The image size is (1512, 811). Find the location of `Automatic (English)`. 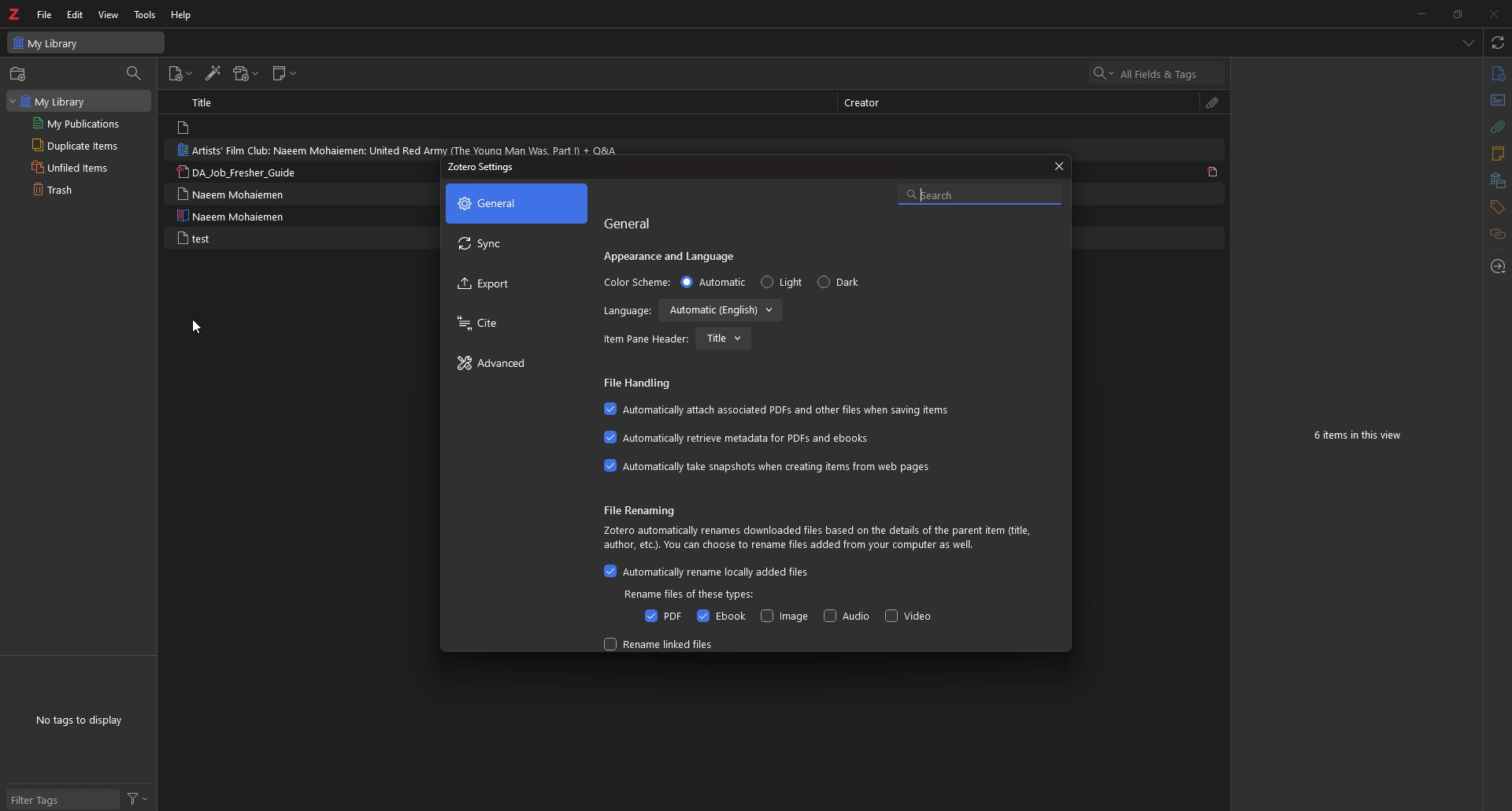

Automatic (English) is located at coordinates (724, 311).